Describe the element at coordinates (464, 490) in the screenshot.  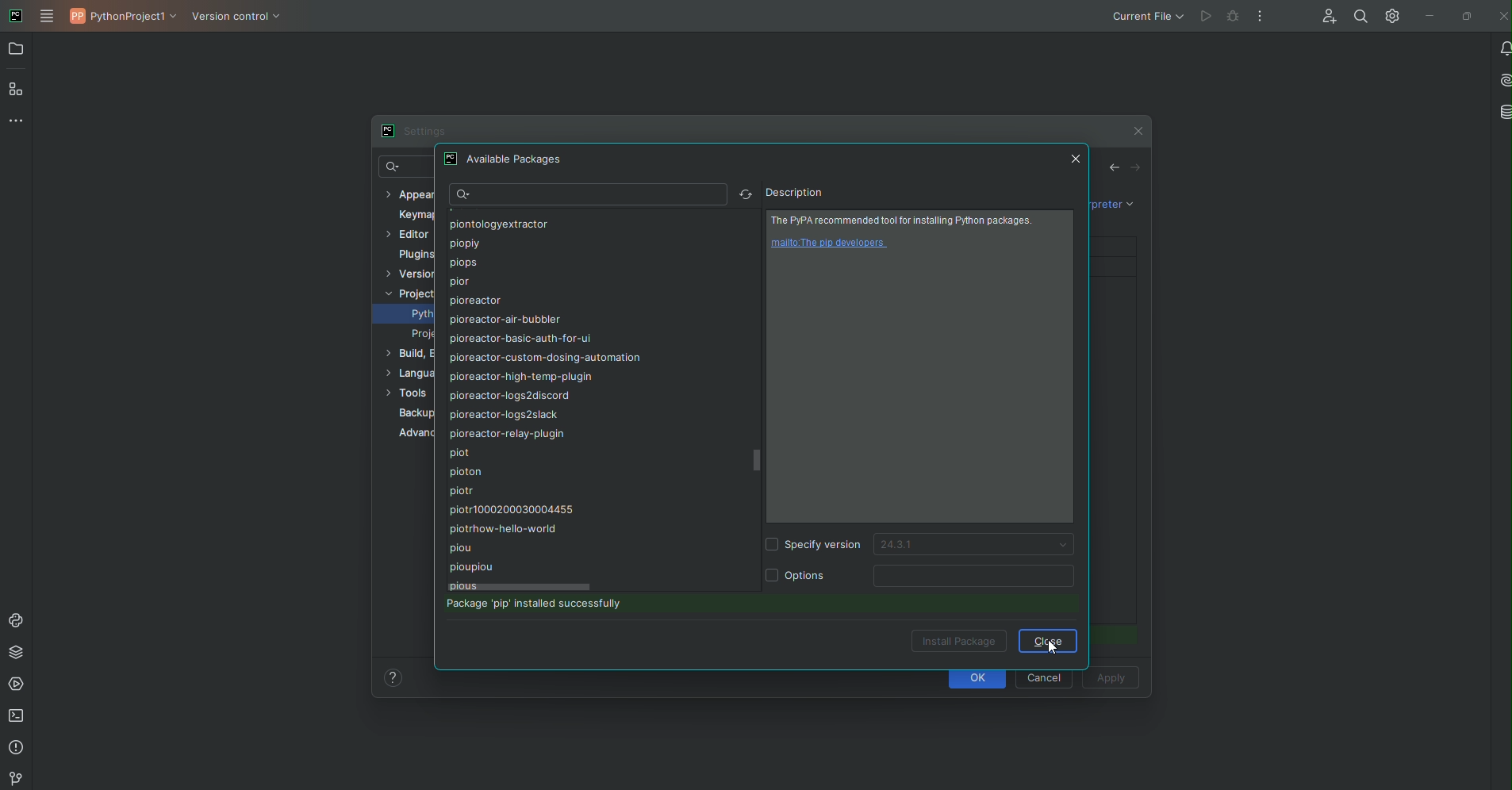
I see `piotr` at that location.